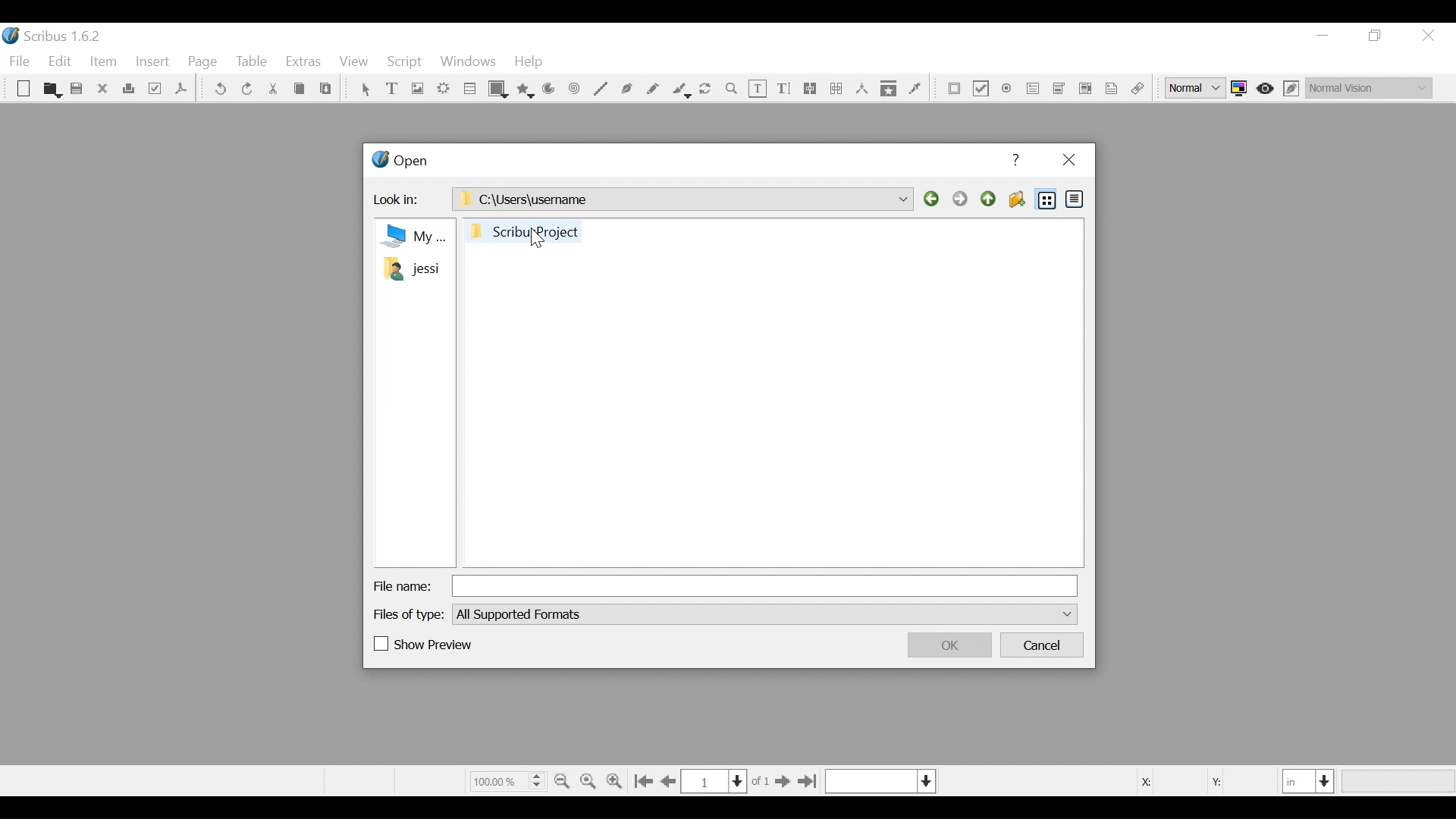 This screenshot has height=819, width=1456. What do you see at coordinates (627, 89) in the screenshot?
I see `Bezier curve` at bounding box center [627, 89].